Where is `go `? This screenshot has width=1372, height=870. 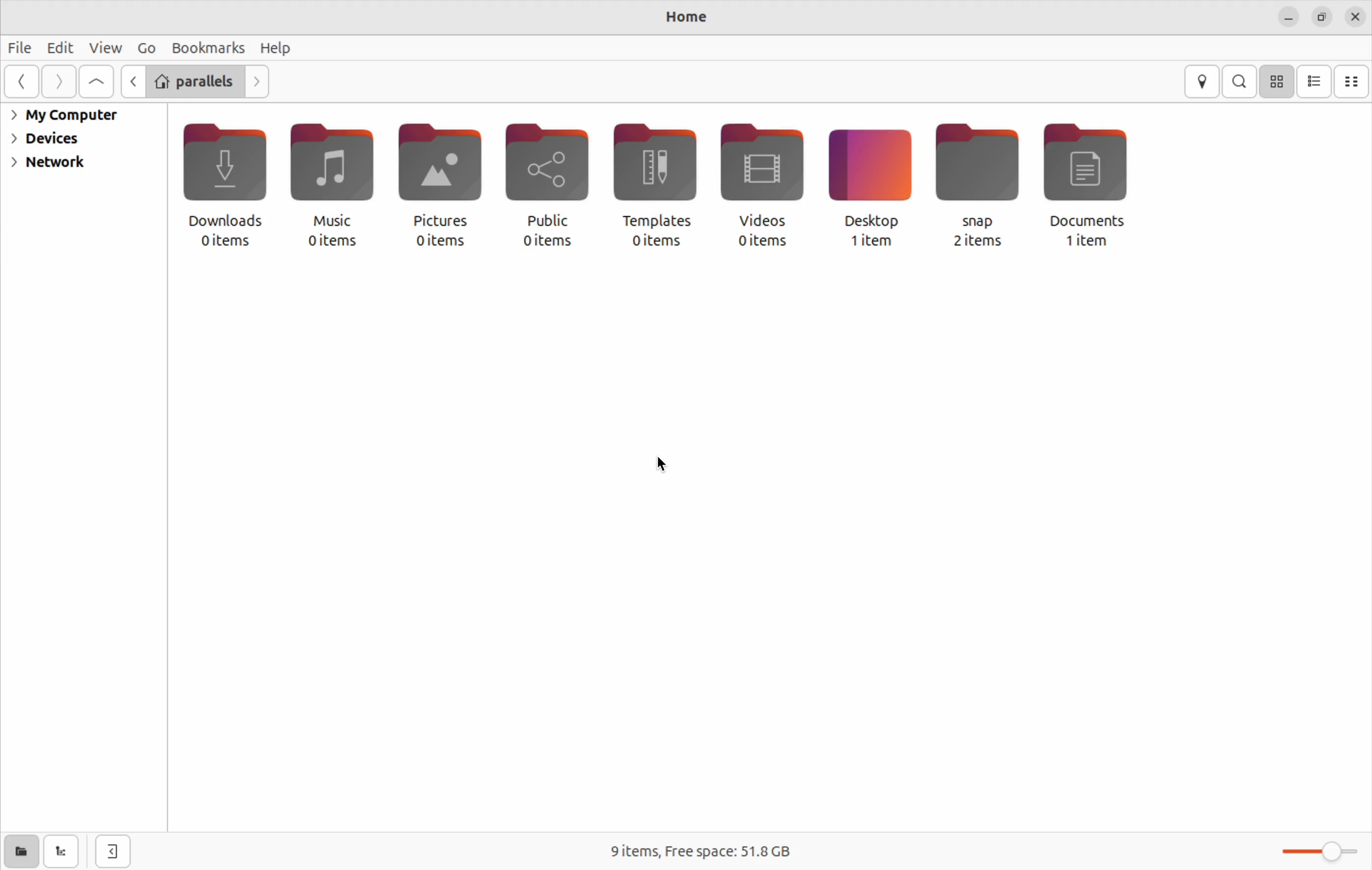
go  is located at coordinates (146, 47).